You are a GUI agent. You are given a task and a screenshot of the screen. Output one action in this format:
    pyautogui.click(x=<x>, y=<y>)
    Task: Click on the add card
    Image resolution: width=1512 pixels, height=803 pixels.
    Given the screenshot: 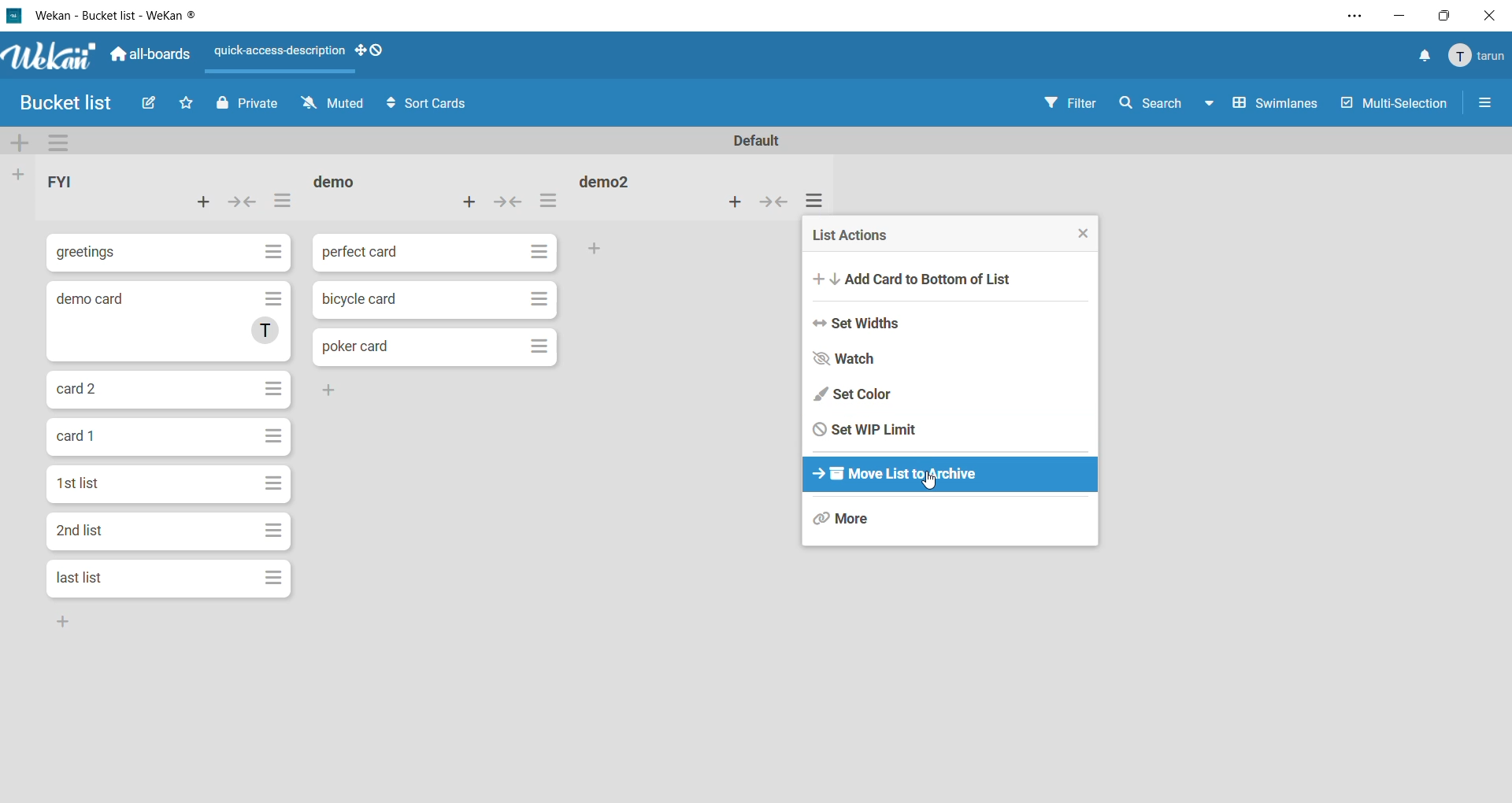 What is the action you would take?
    pyautogui.click(x=211, y=205)
    